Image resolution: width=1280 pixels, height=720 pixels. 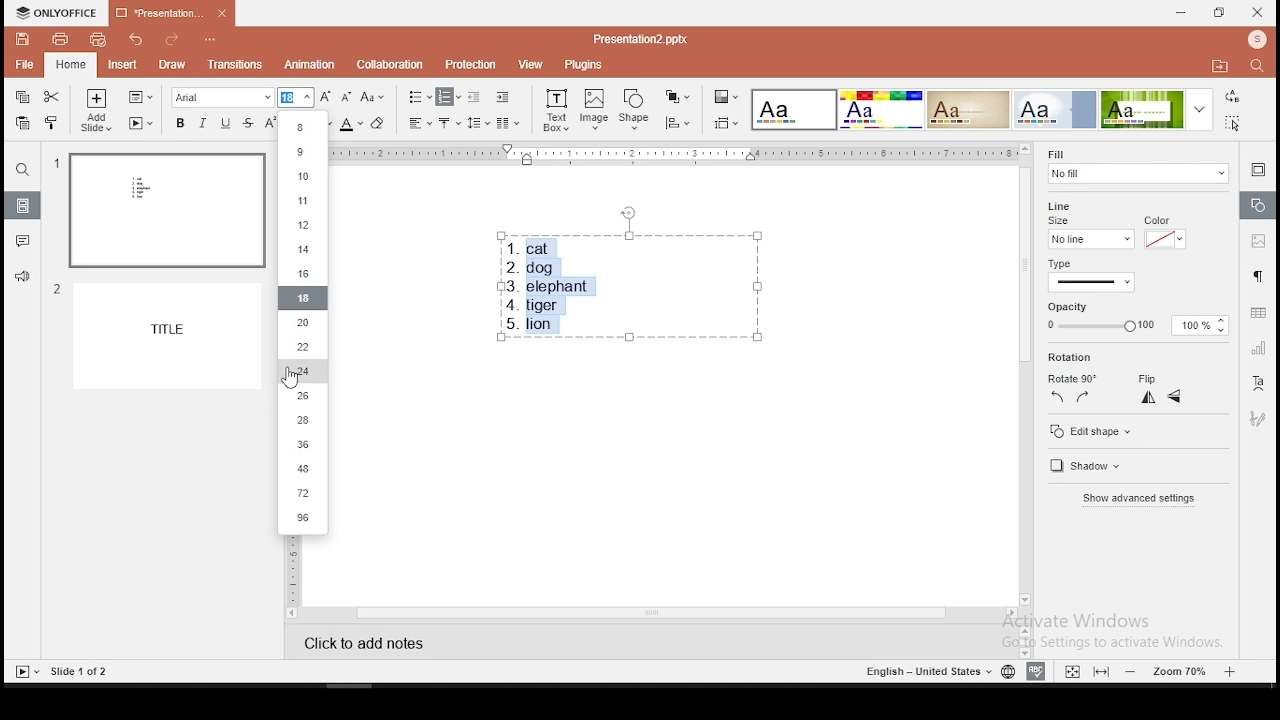 What do you see at coordinates (725, 123) in the screenshot?
I see `align objects` at bounding box center [725, 123].